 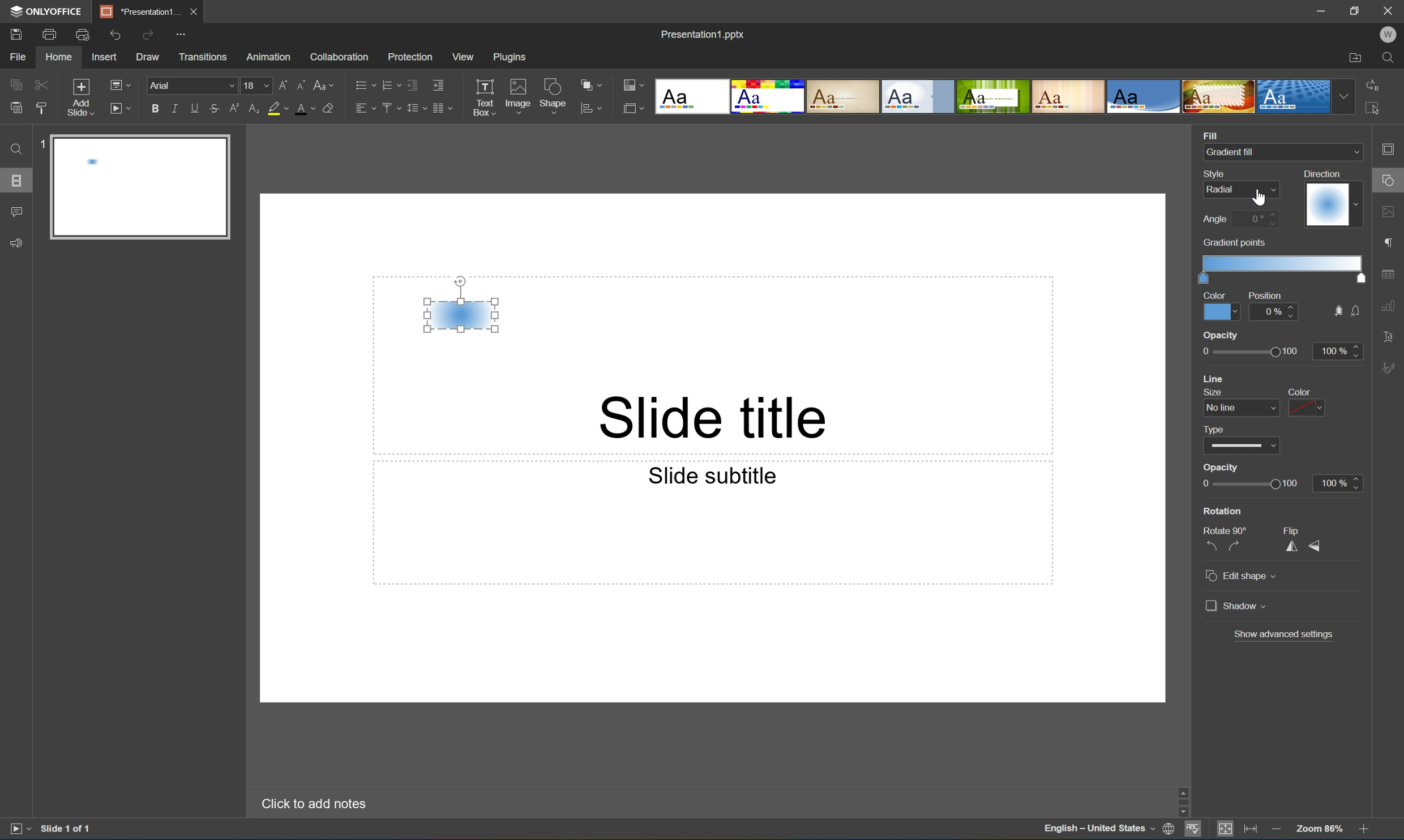 What do you see at coordinates (1337, 351) in the screenshot?
I see `100%` at bounding box center [1337, 351].